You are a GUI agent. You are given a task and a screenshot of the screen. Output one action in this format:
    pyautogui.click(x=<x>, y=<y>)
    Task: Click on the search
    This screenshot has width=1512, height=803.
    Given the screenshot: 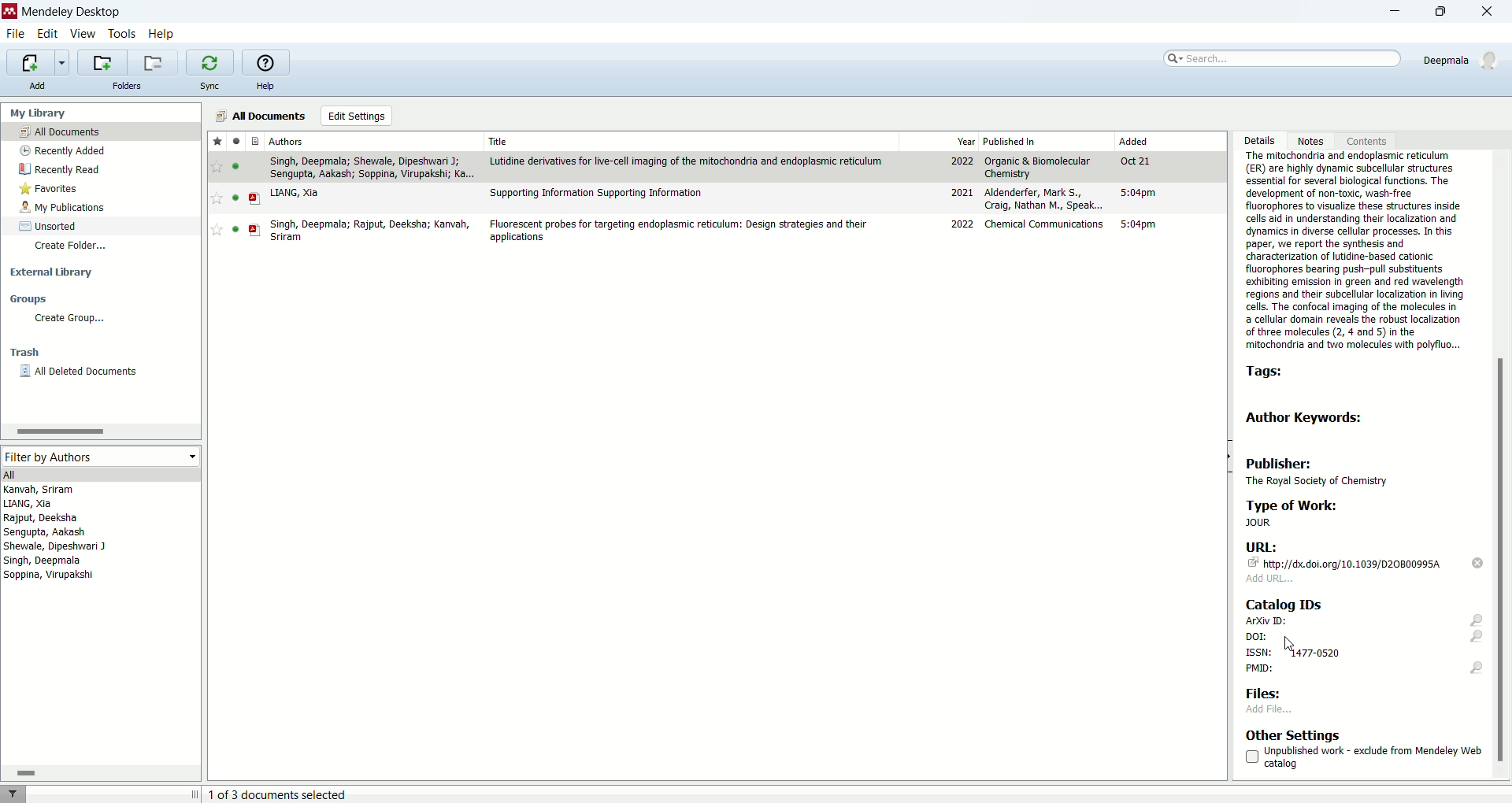 What is the action you would take?
    pyautogui.click(x=1280, y=58)
    